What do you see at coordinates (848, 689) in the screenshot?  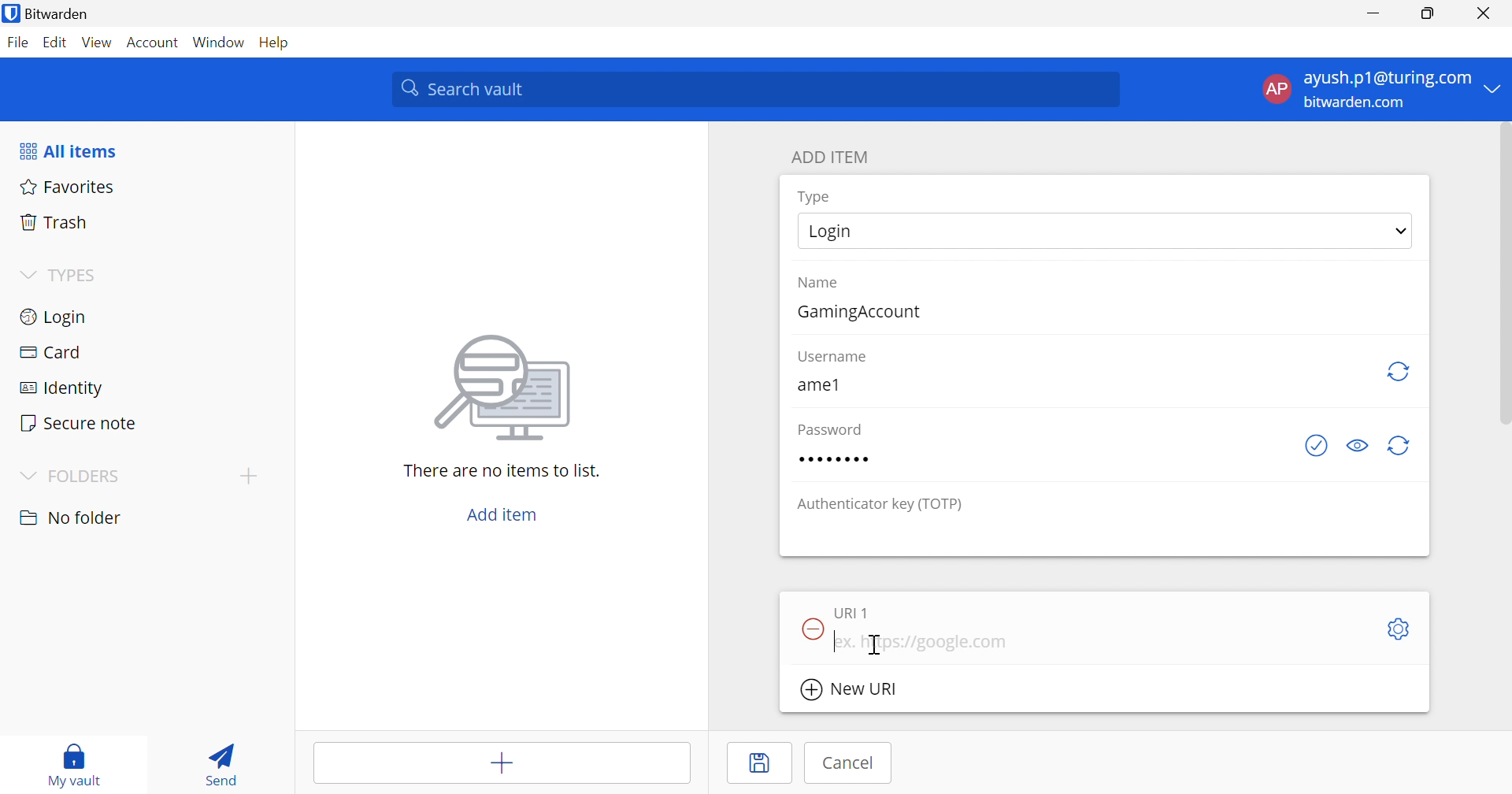 I see `New URI` at bounding box center [848, 689].